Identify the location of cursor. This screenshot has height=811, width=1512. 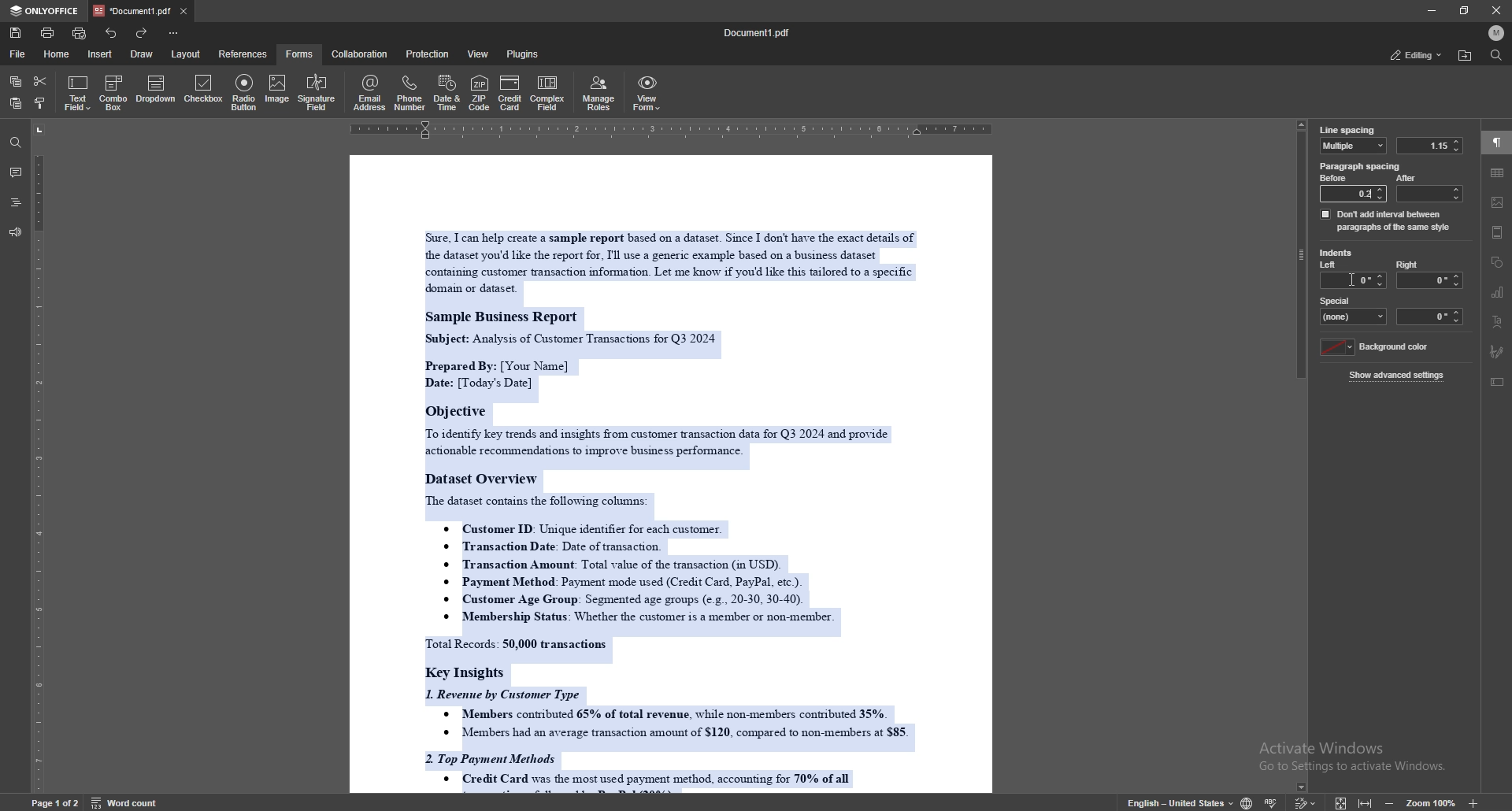
(1353, 280).